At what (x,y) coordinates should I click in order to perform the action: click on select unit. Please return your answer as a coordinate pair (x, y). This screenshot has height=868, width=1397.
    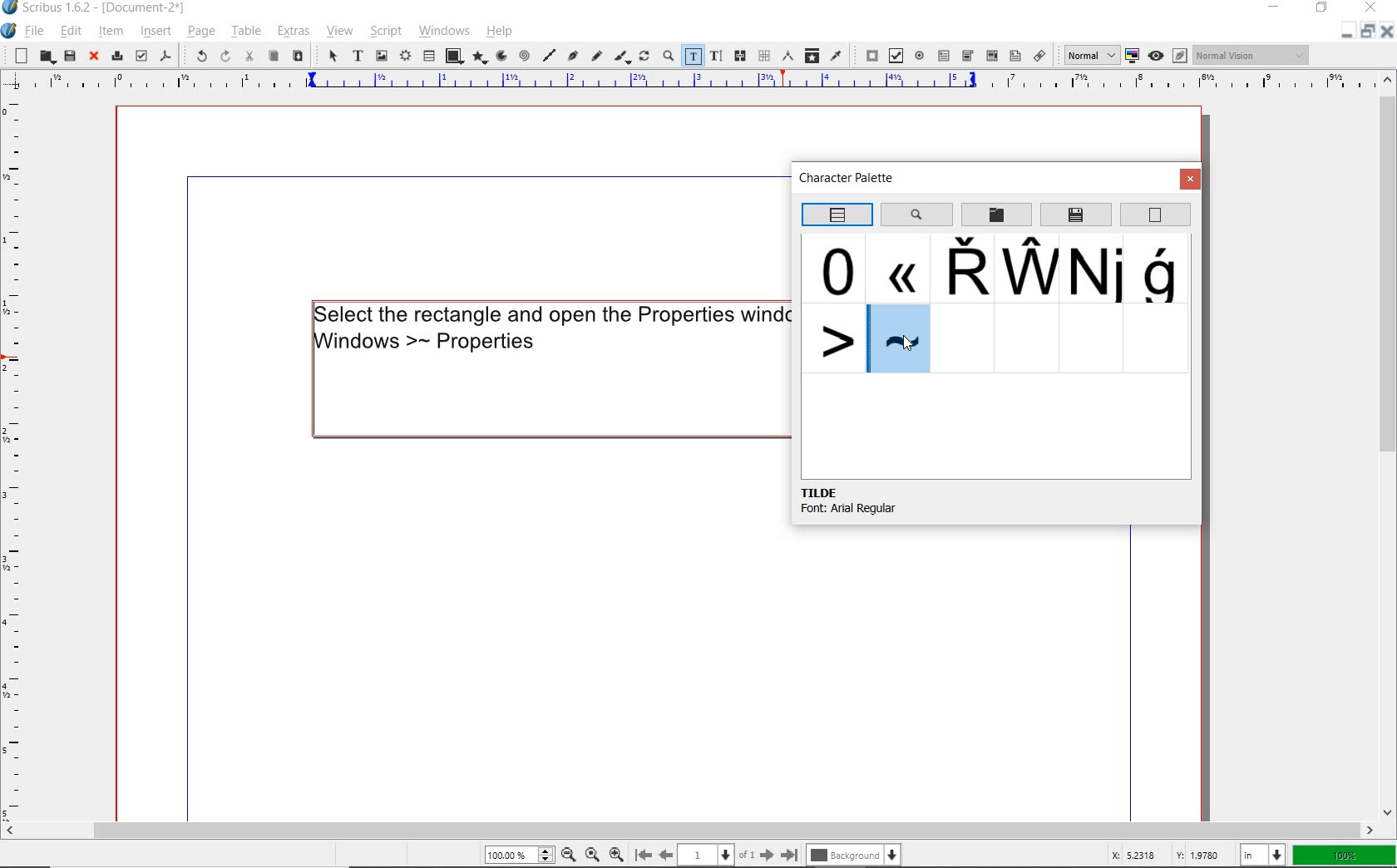
    Looking at the image, I should click on (1264, 855).